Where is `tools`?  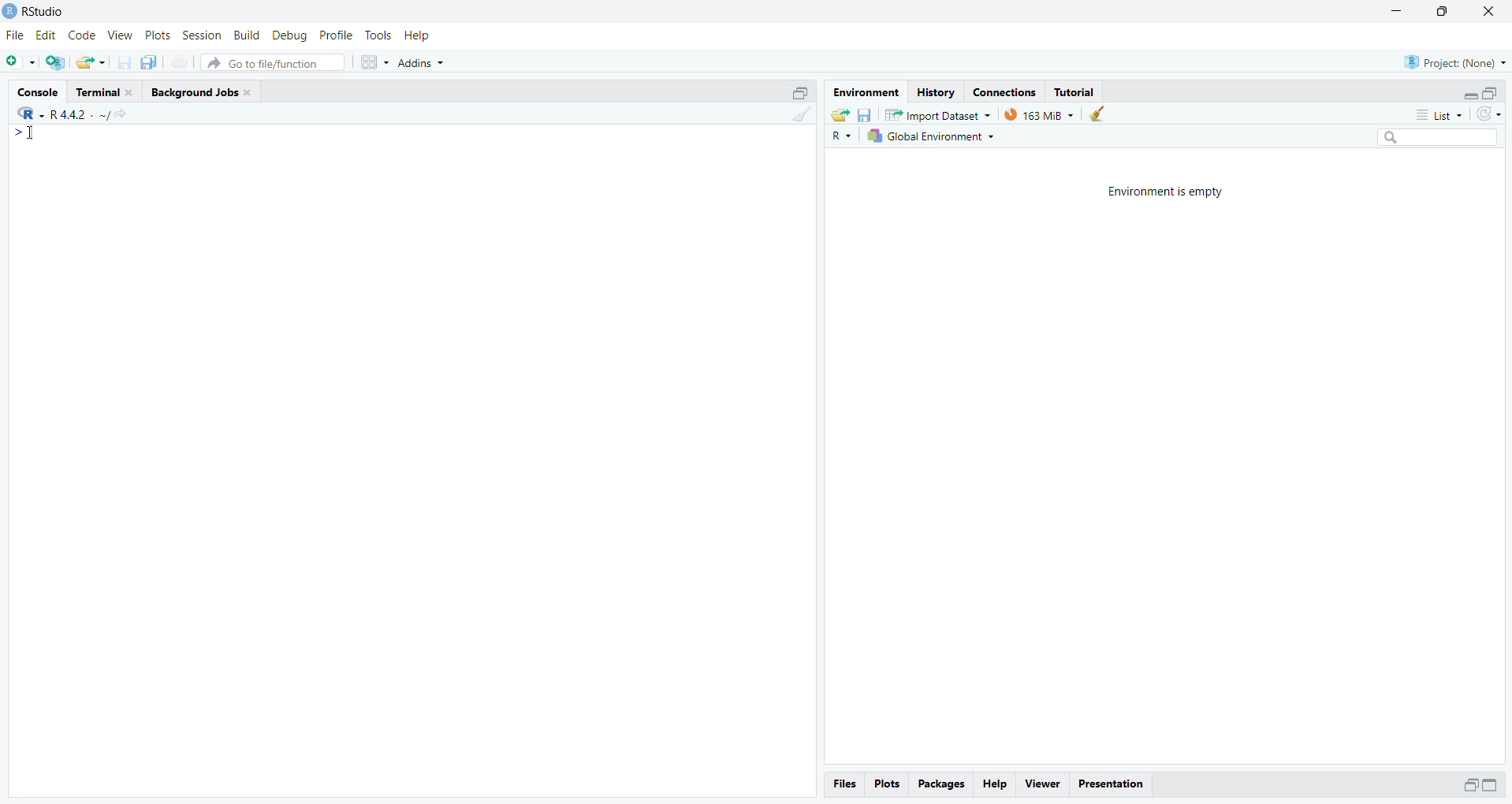 tools is located at coordinates (379, 35).